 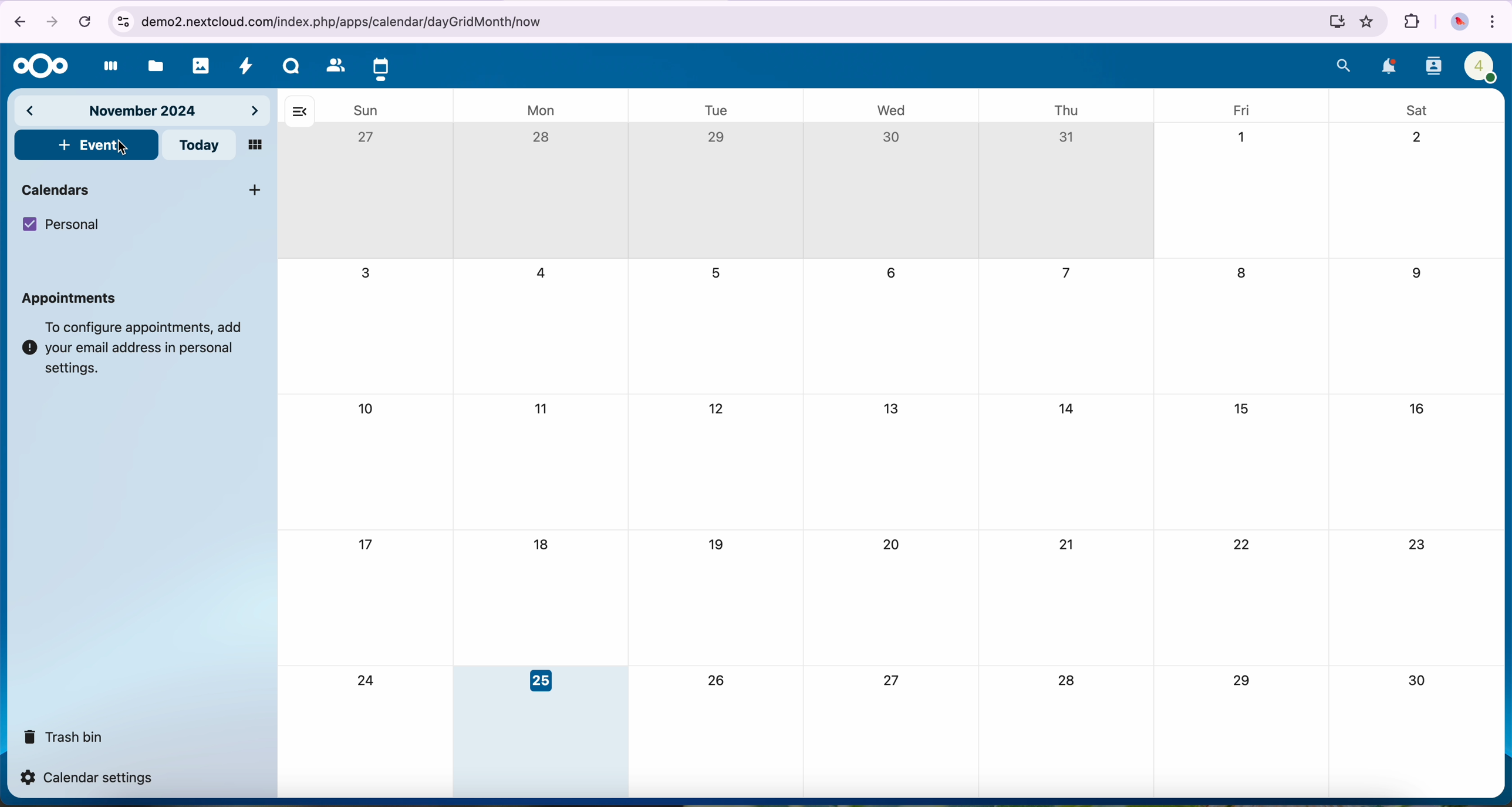 I want to click on contacts, so click(x=330, y=65).